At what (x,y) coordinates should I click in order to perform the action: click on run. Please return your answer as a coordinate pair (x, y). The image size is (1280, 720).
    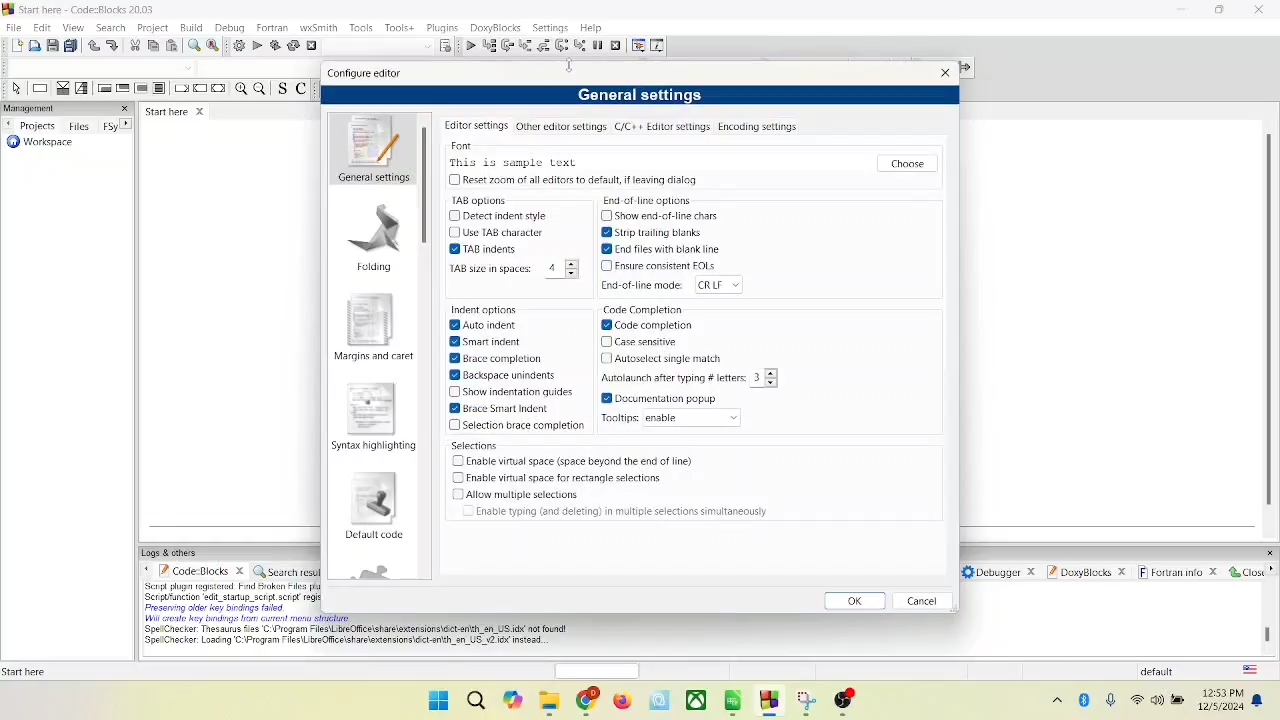
    Looking at the image, I should click on (257, 45).